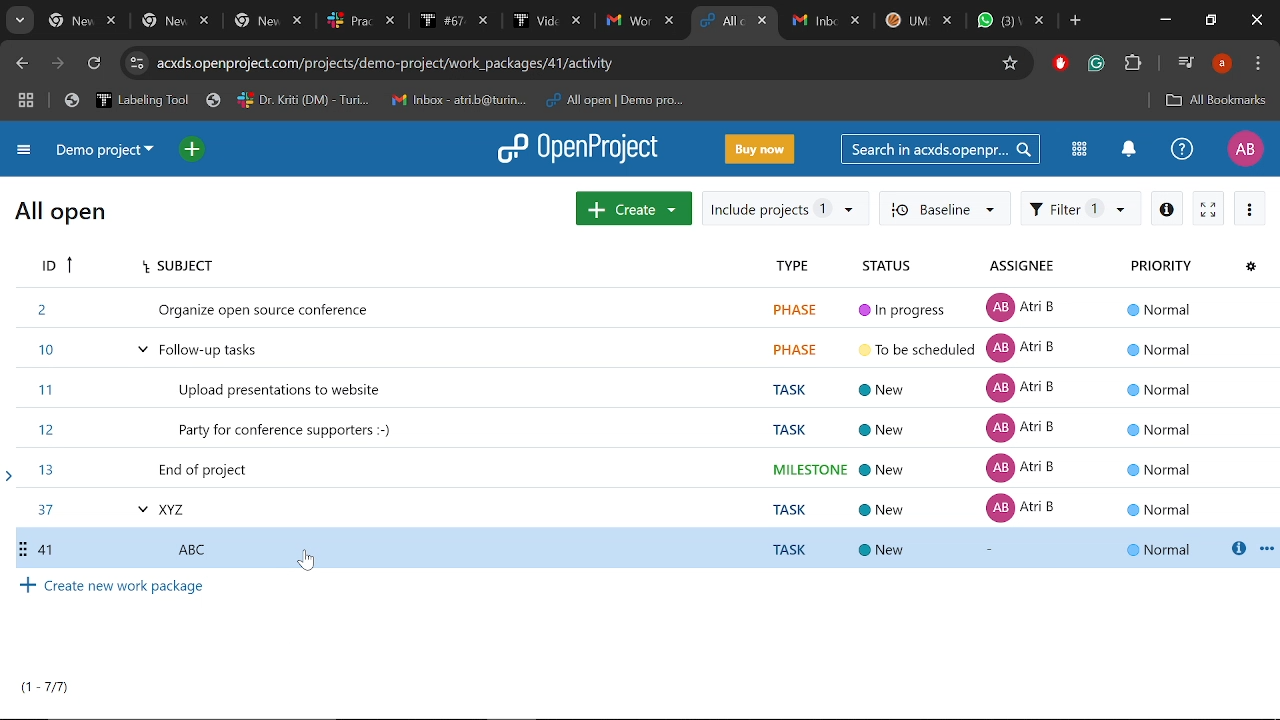 This screenshot has height=720, width=1280. I want to click on Selected Task, so click(646, 547).